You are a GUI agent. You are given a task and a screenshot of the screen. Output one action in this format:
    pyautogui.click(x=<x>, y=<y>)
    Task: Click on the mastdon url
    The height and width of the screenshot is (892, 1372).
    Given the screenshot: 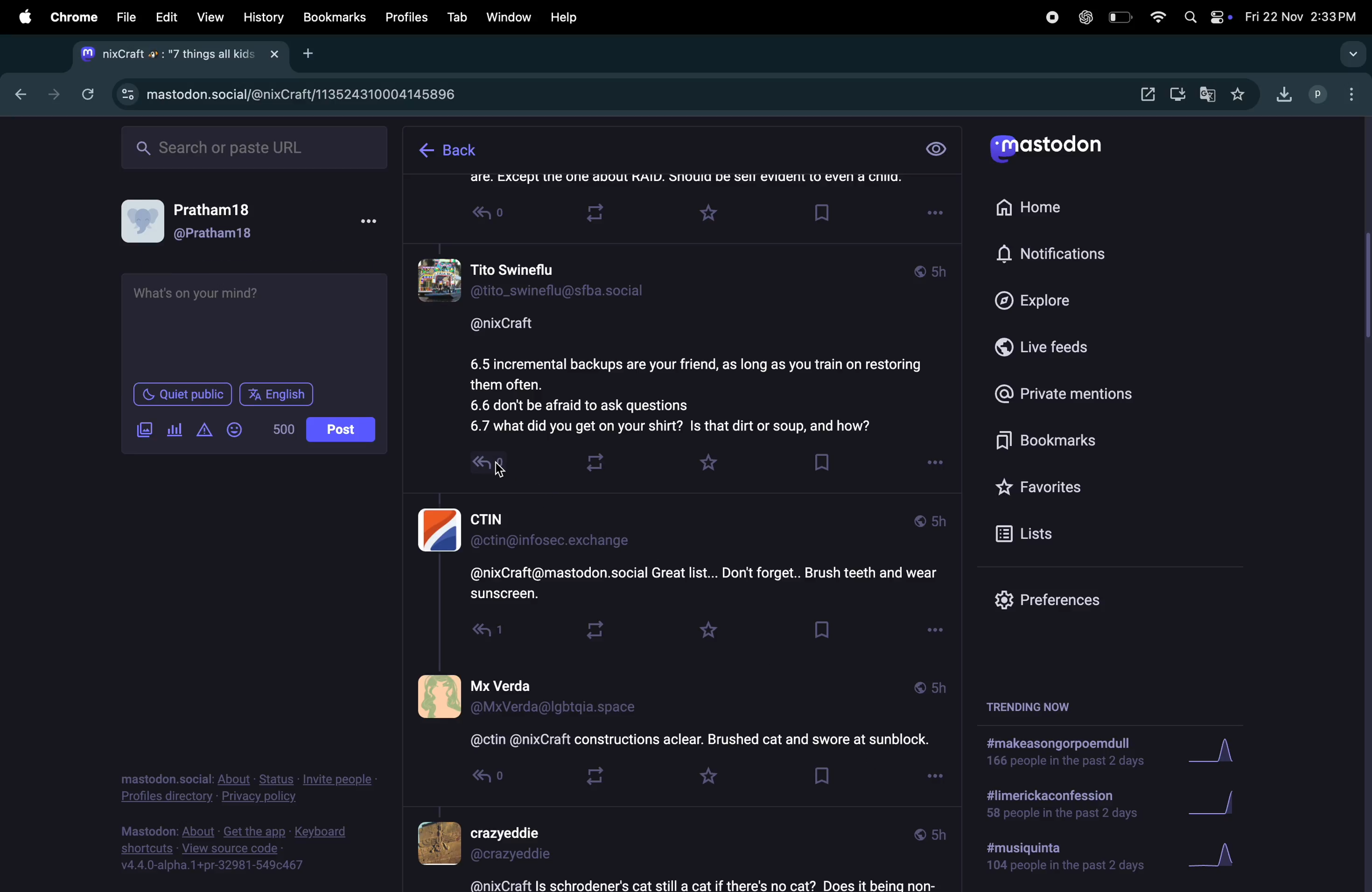 What is the action you would take?
    pyautogui.click(x=325, y=91)
    